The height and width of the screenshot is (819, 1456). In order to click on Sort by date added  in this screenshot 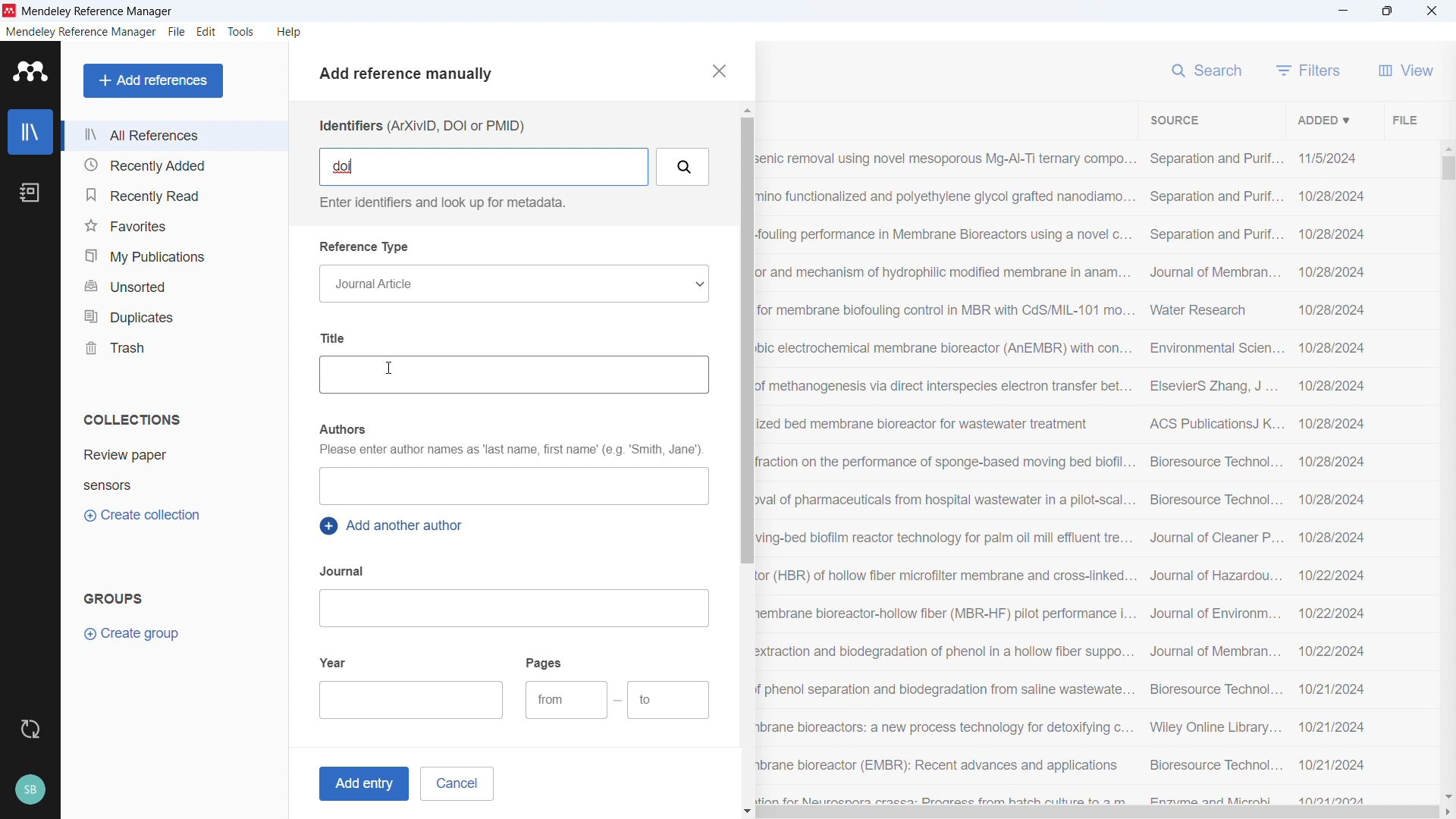, I will do `click(1322, 119)`.